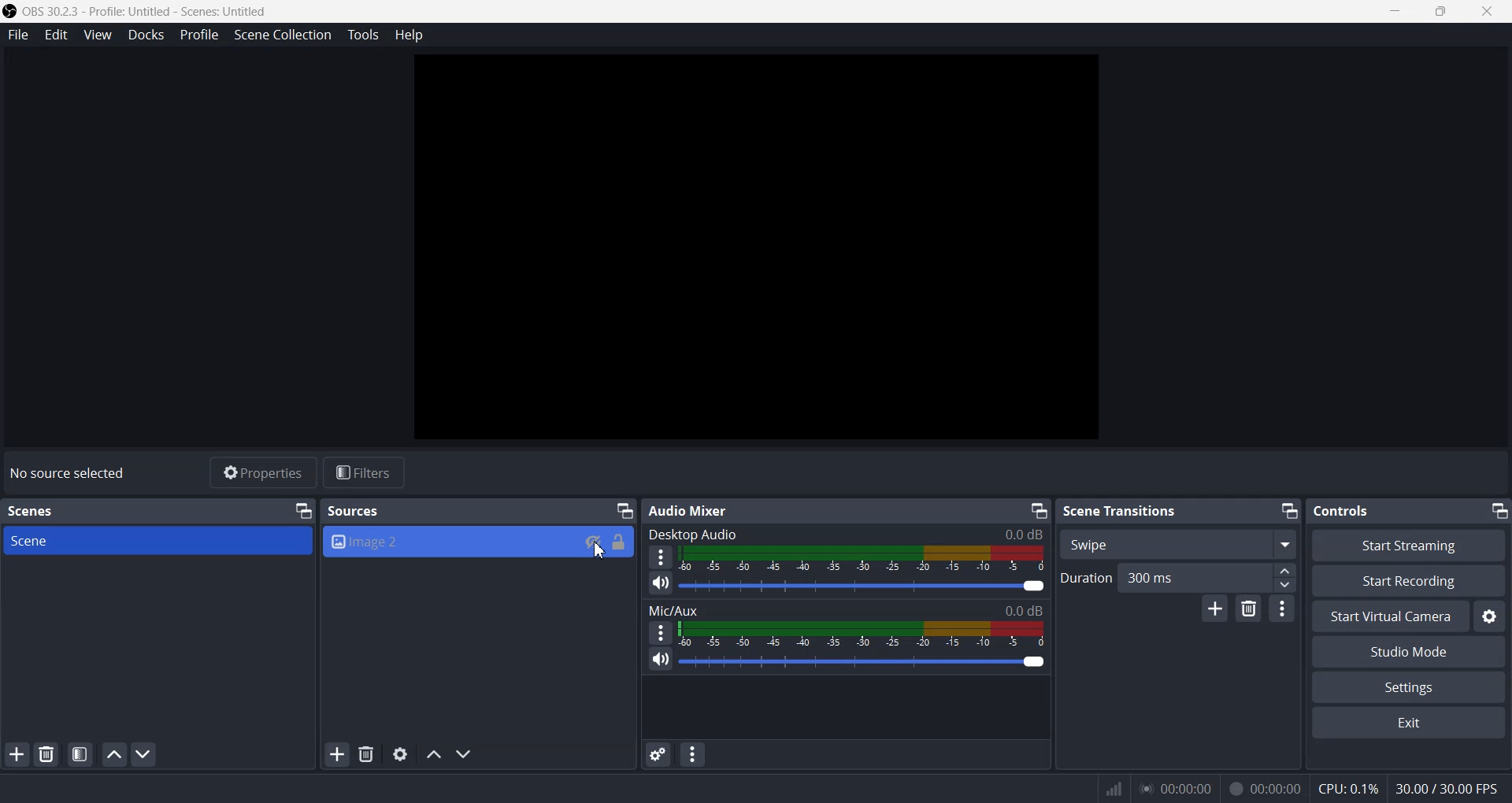 The image size is (1512, 803). What do you see at coordinates (1283, 608) in the screenshot?
I see `Transition properties` at bounding box center [1283, 608].